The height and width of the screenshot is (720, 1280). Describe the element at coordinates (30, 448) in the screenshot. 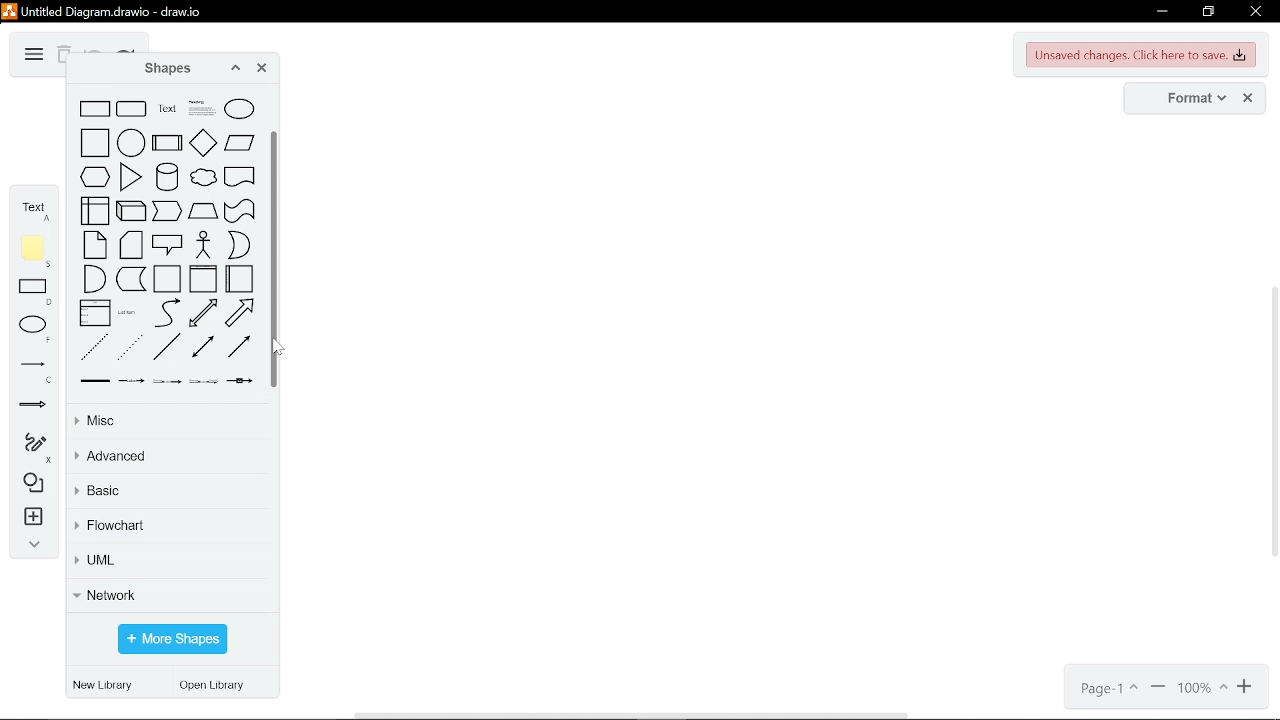

I see `freehand` at that location.